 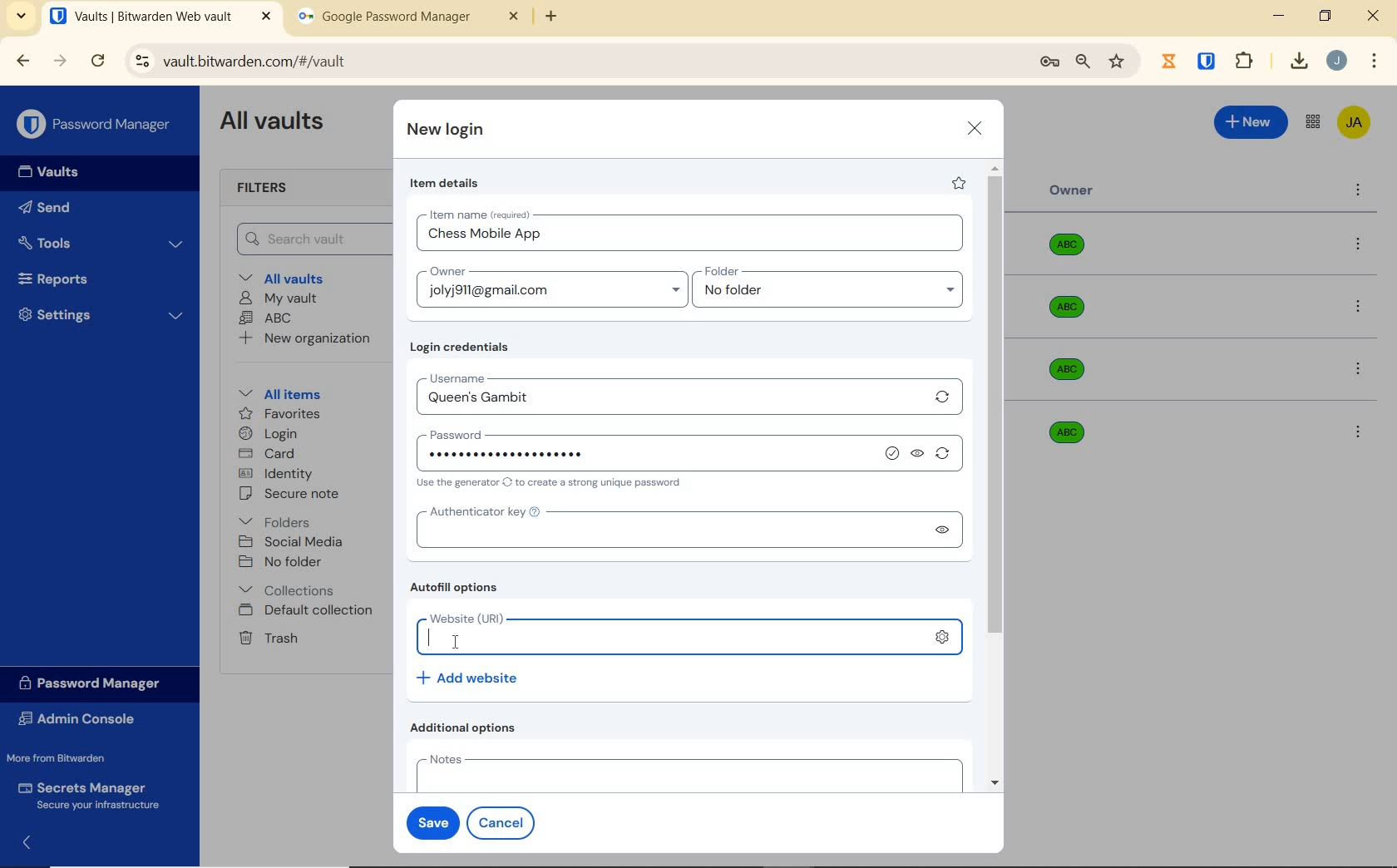 I want to click on password added, so click(x=649, y=456).